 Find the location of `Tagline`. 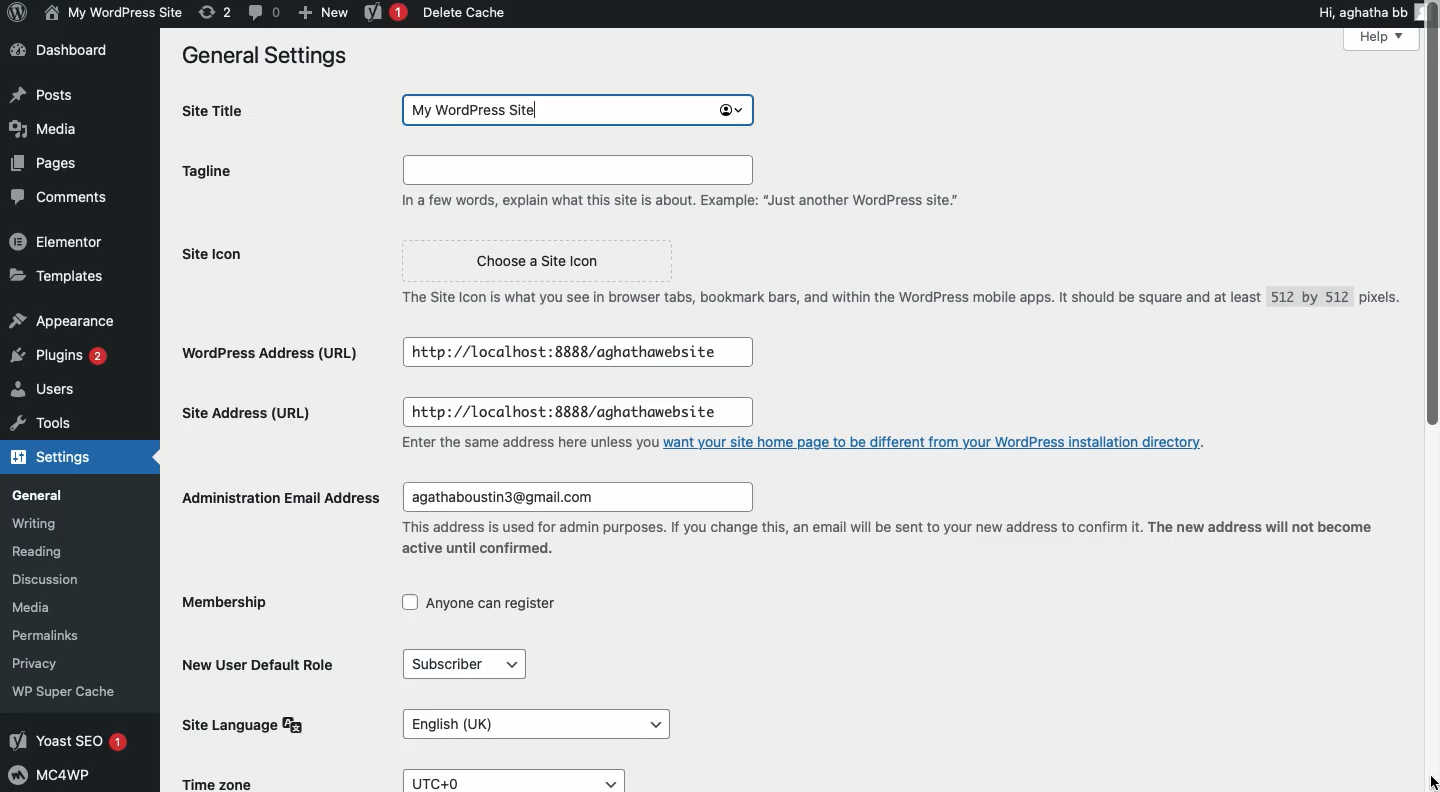

Tagline is located at coordinates (222, 182).